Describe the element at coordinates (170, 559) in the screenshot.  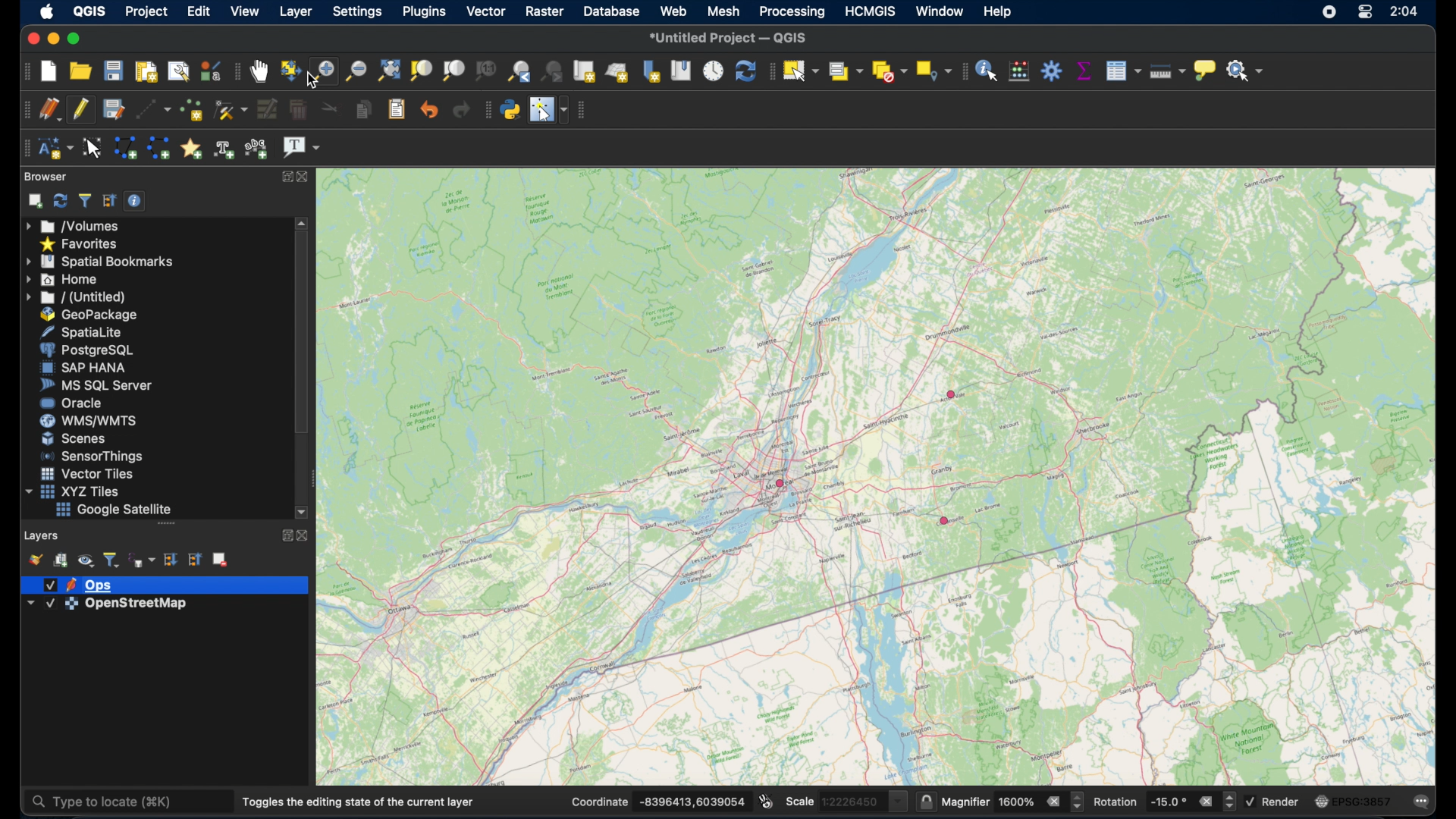
I see `expand all` at that location.